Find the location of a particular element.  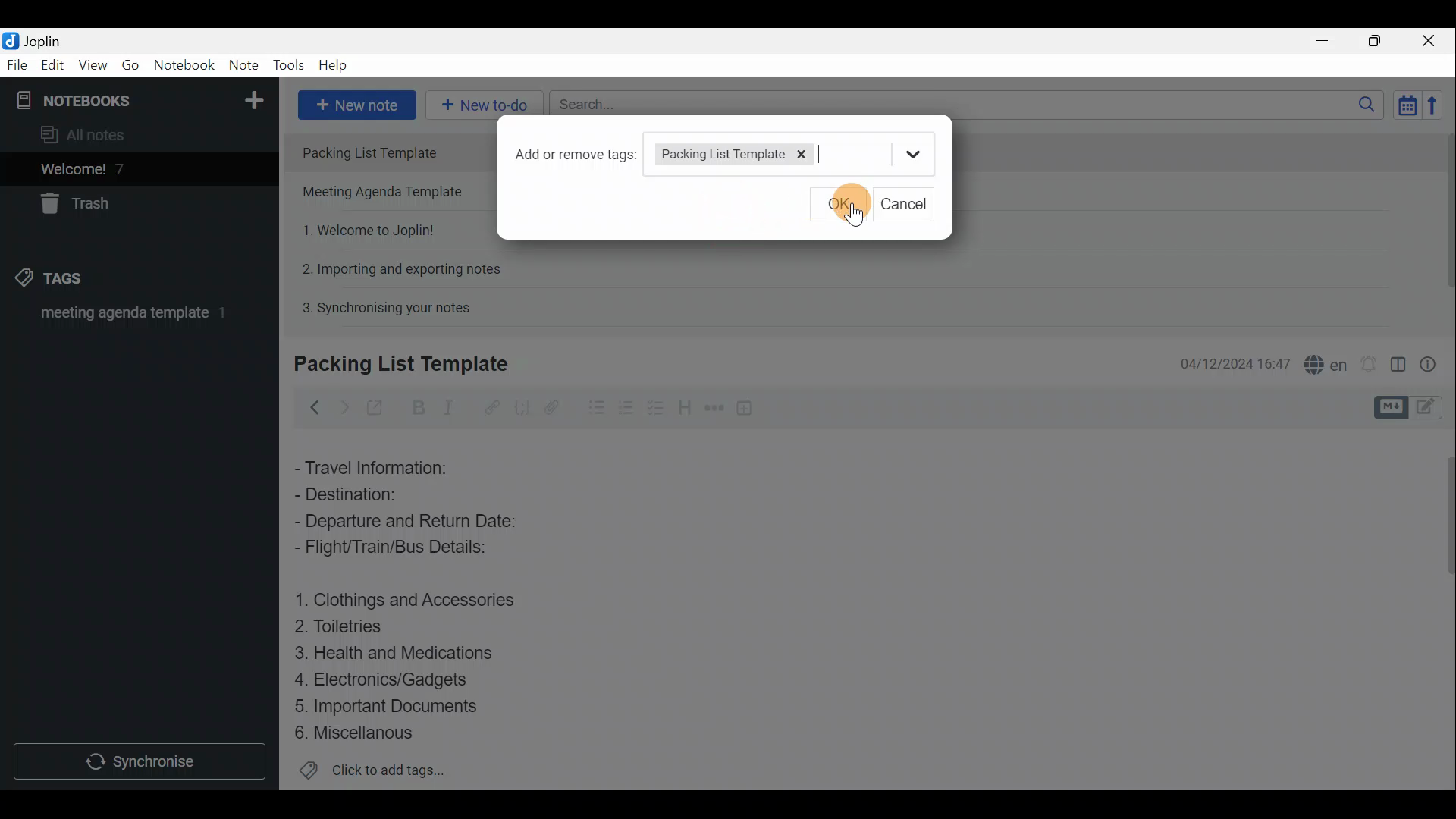

dropdown is located at coordinates (915, 155).